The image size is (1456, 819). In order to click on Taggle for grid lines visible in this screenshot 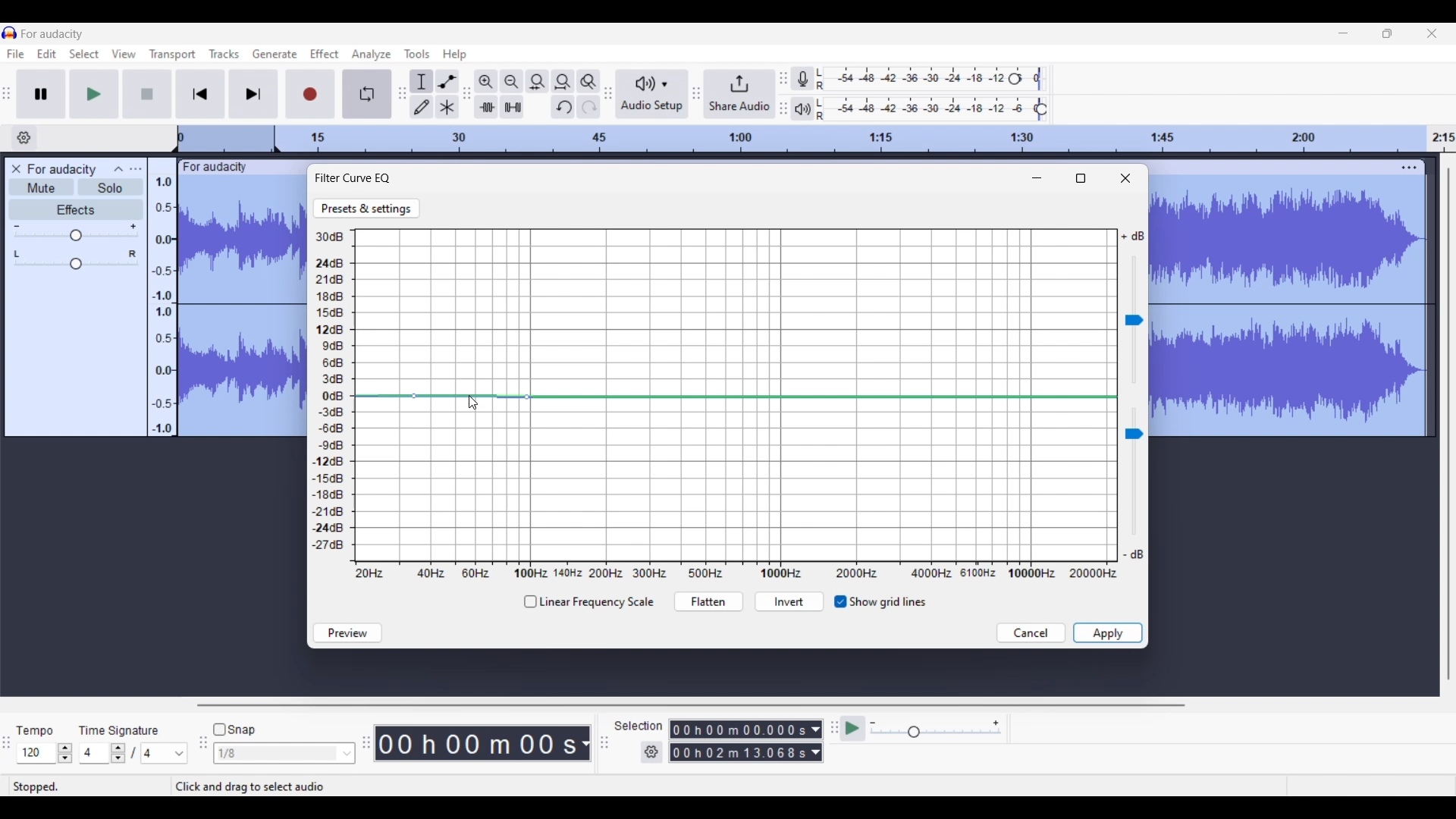, I will do `click(880, 602)`.